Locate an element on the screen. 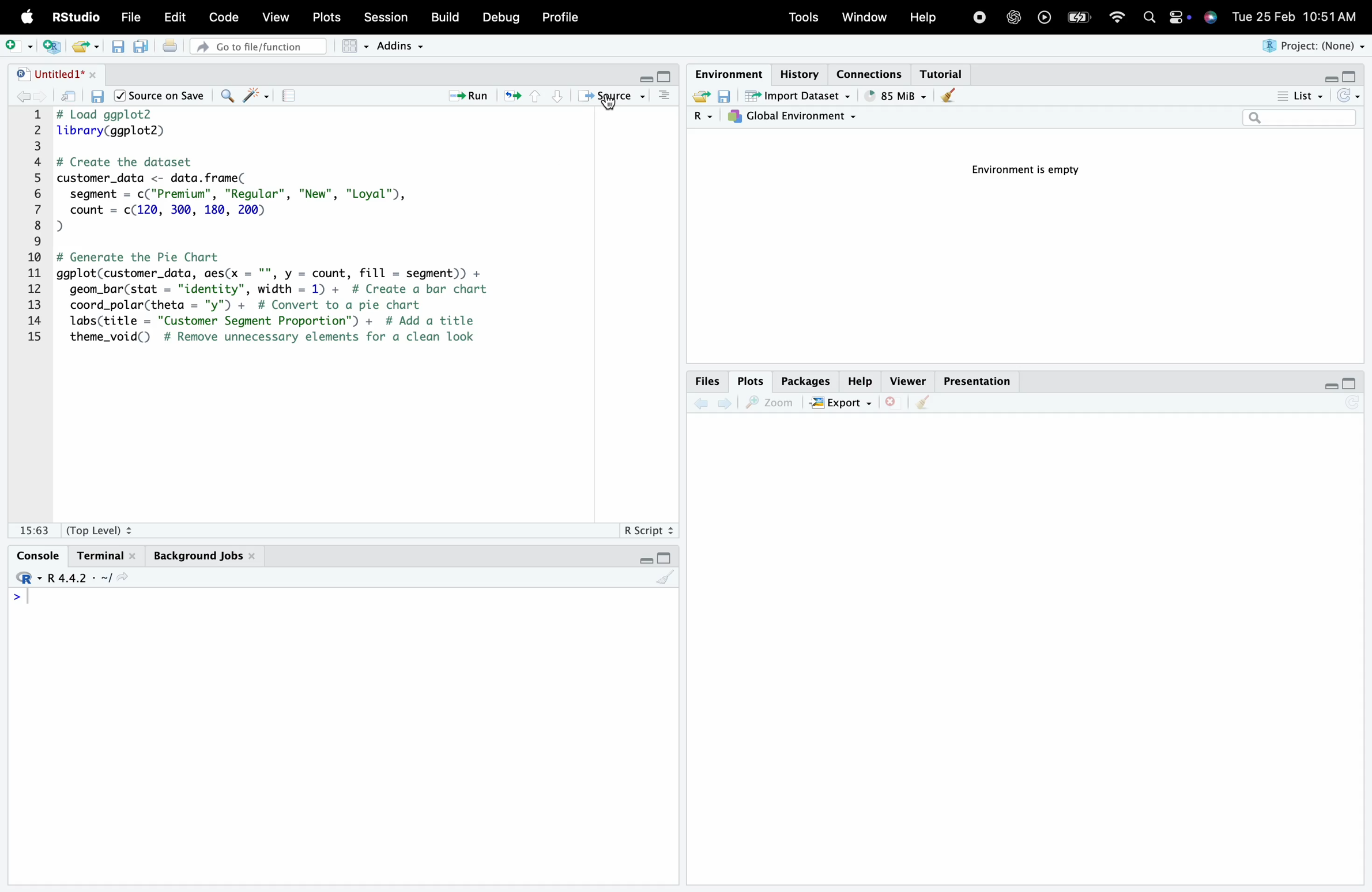 This screenshot has height=892, width=1372. Window is located at coordinates (863, 17).